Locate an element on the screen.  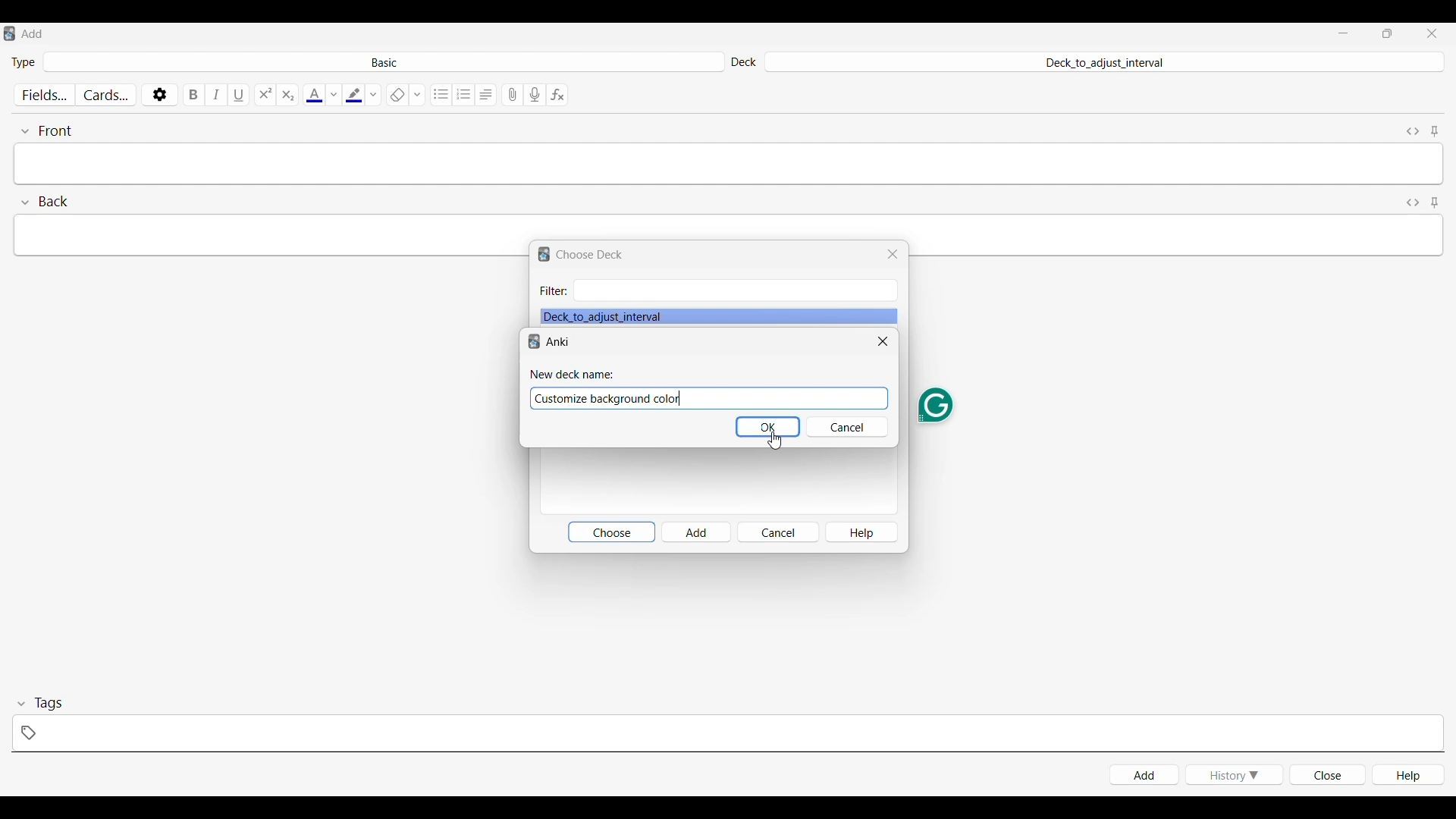
Deck list is located at coordinates (719, 316).